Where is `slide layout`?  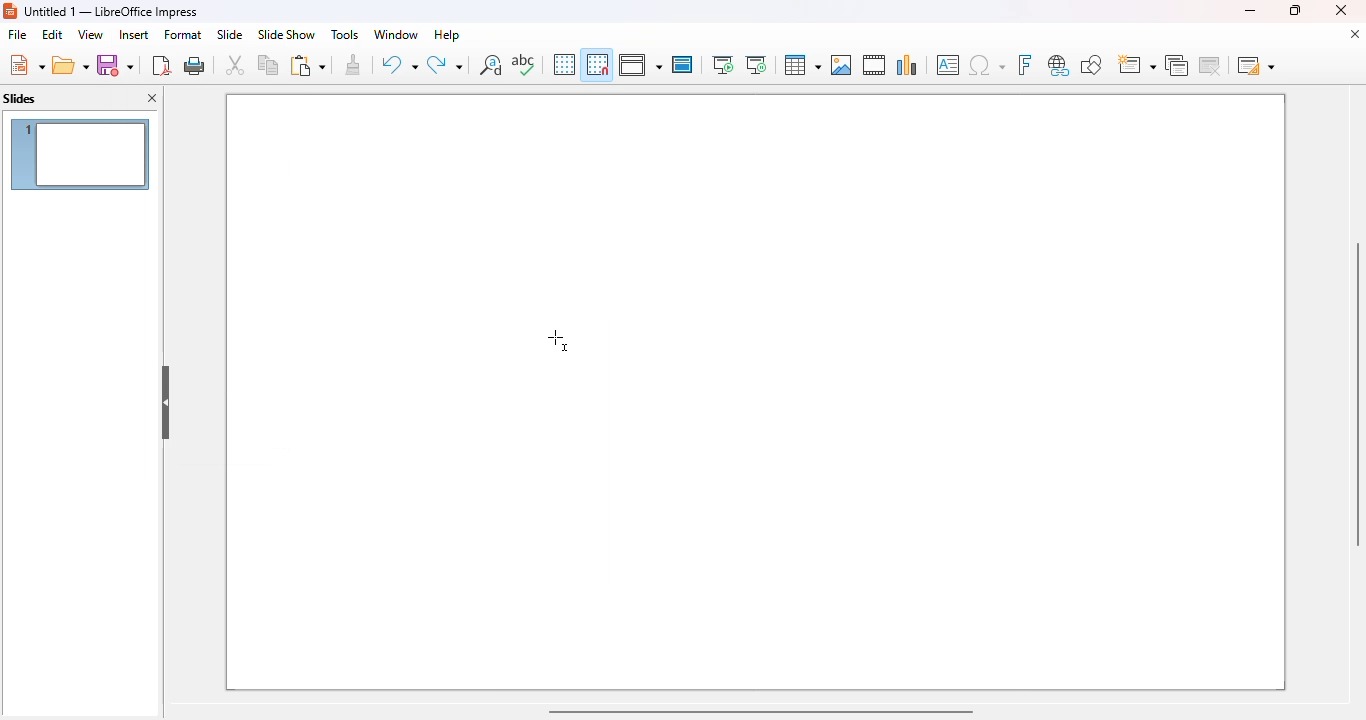 slide layout is located at coordinates (1256, 65).